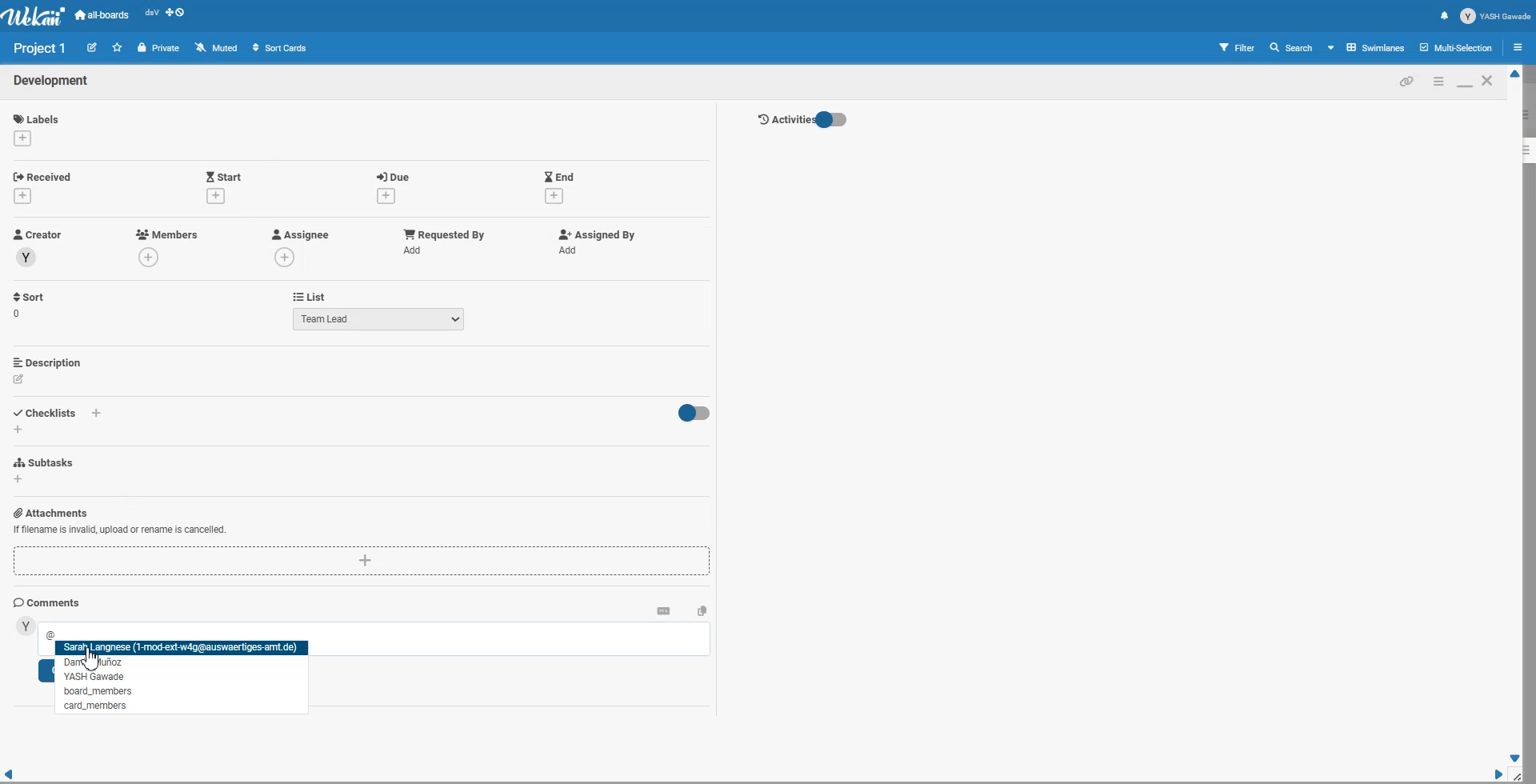 Image resolution: width=1536 pixels, height=784 pixels. Describe the element at coordinates (1516, 416) in the screenshot. I see `Vertical Scroll bar` at that location.